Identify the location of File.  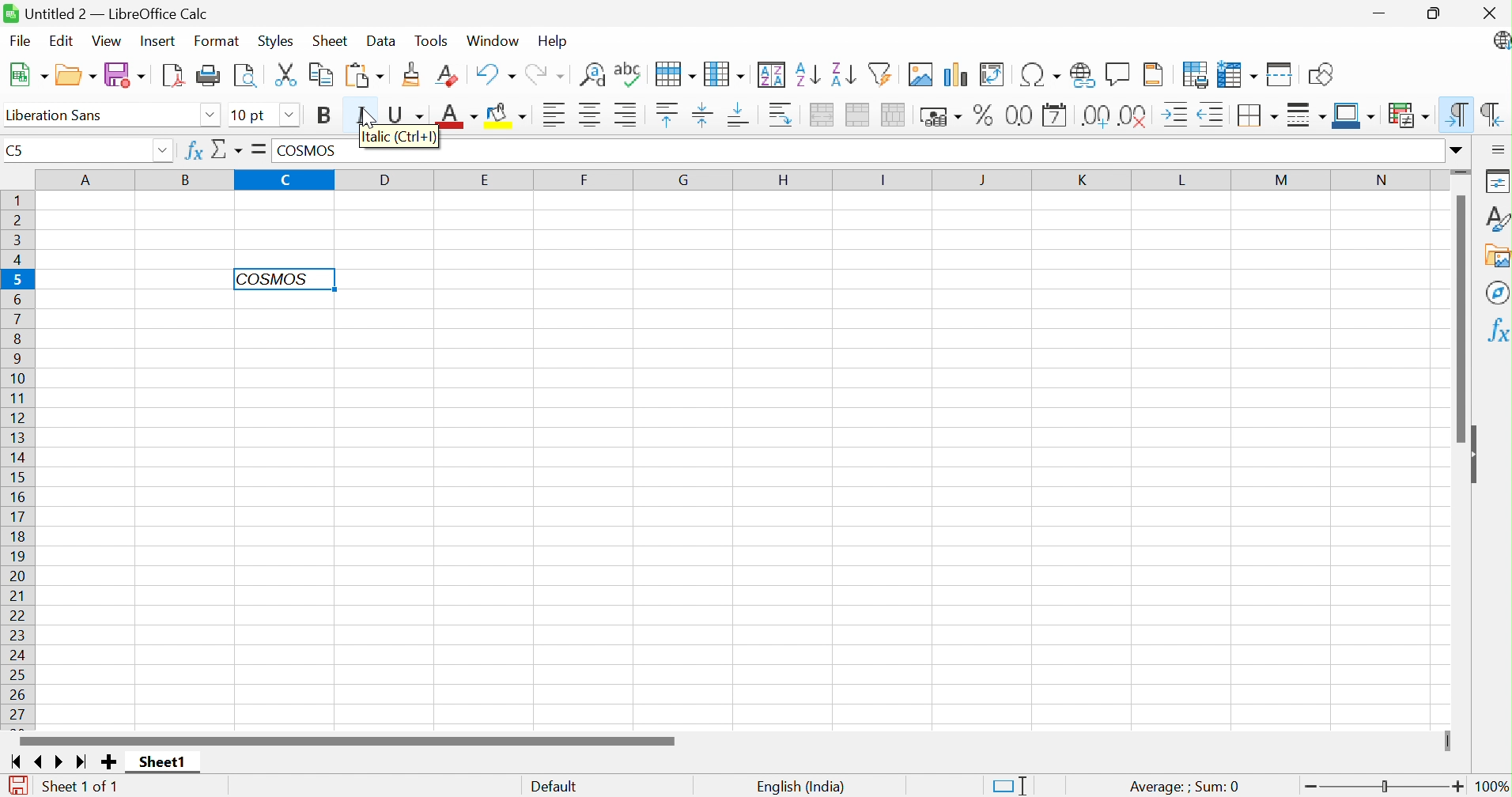
(19, 42).